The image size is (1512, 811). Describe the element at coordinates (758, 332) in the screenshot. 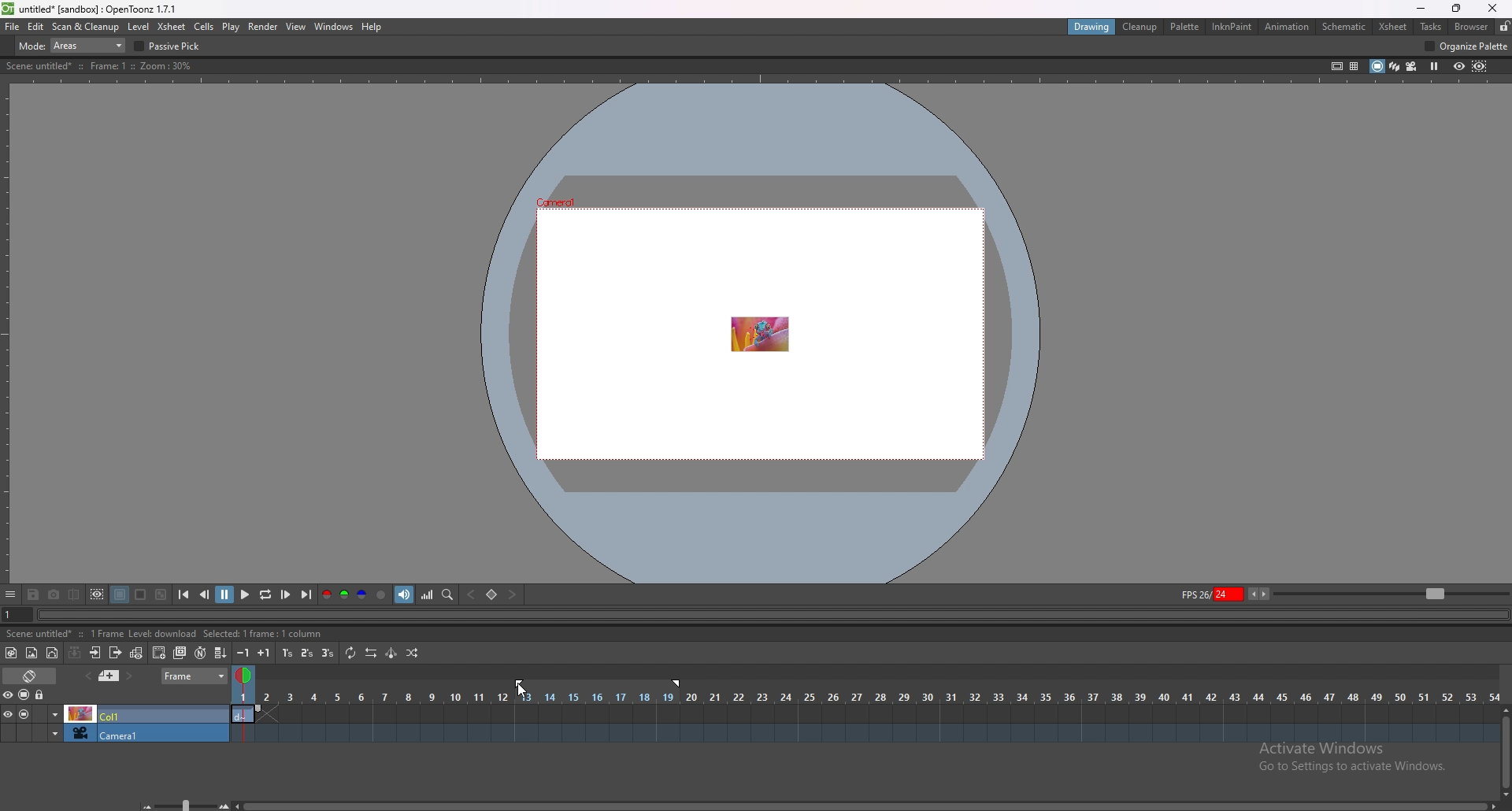

I see `animation area` at that location.